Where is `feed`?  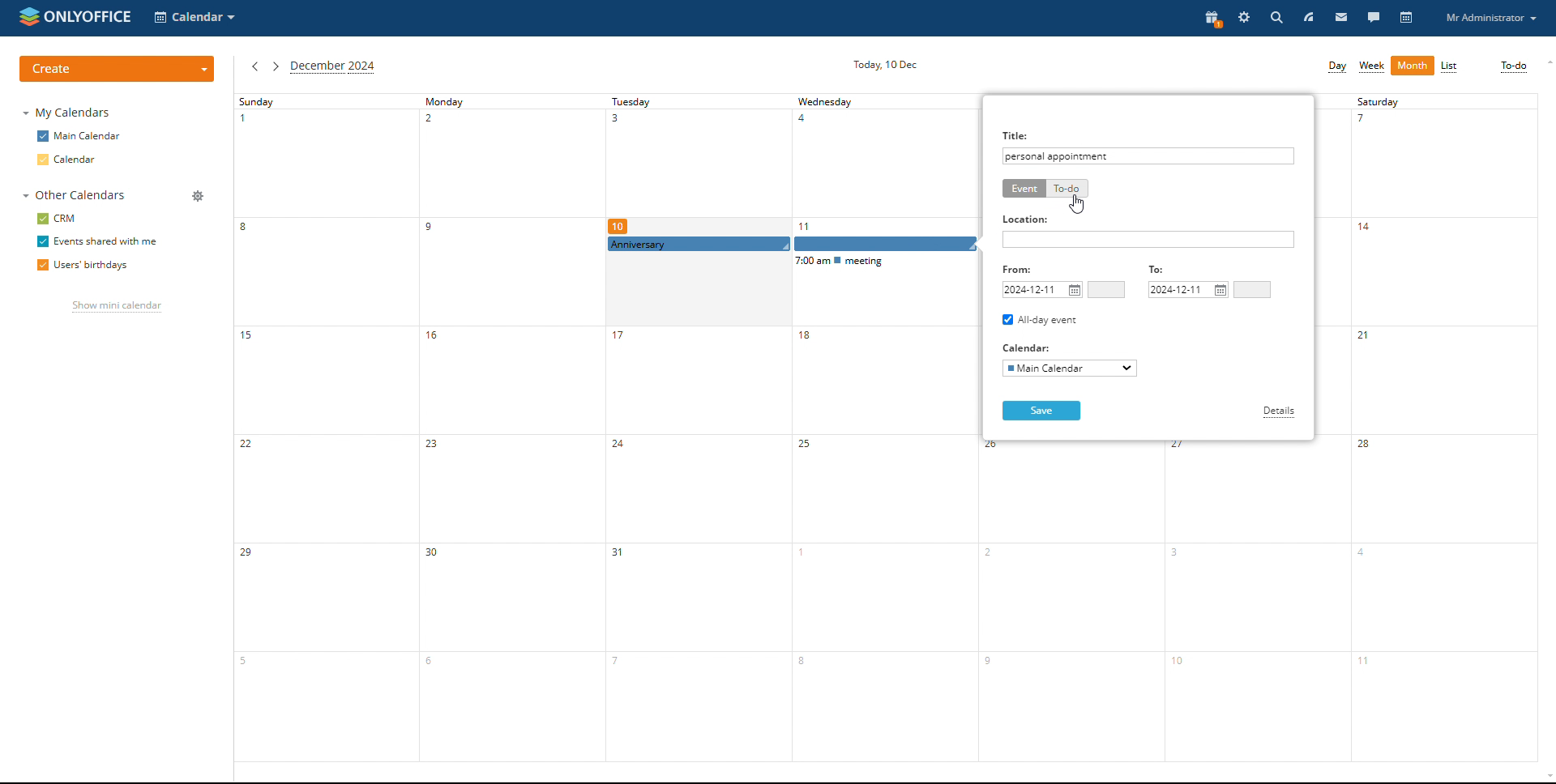
feed is located at coordinates (1307, 19).